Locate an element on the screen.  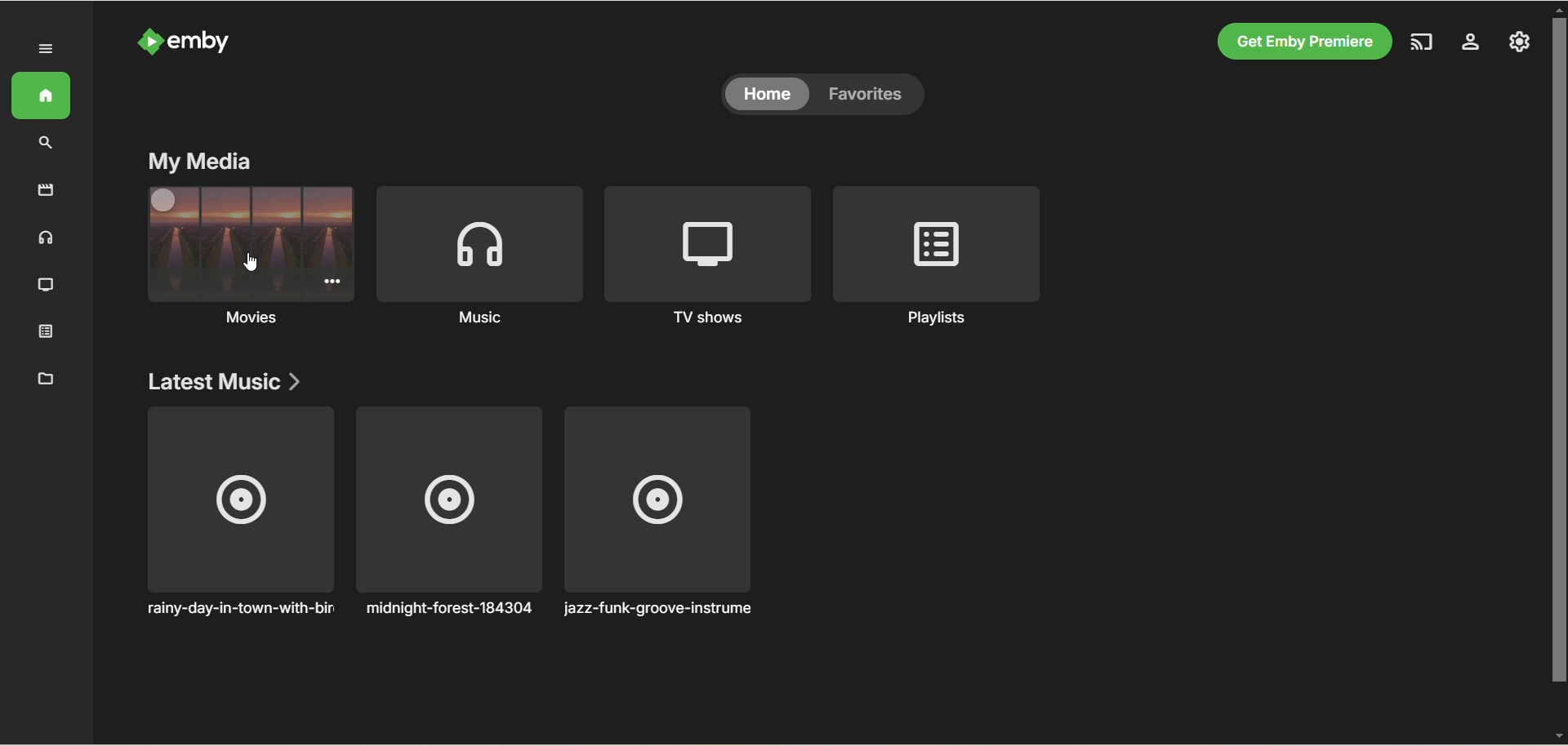
playlists is located at coordinates (938, 256).